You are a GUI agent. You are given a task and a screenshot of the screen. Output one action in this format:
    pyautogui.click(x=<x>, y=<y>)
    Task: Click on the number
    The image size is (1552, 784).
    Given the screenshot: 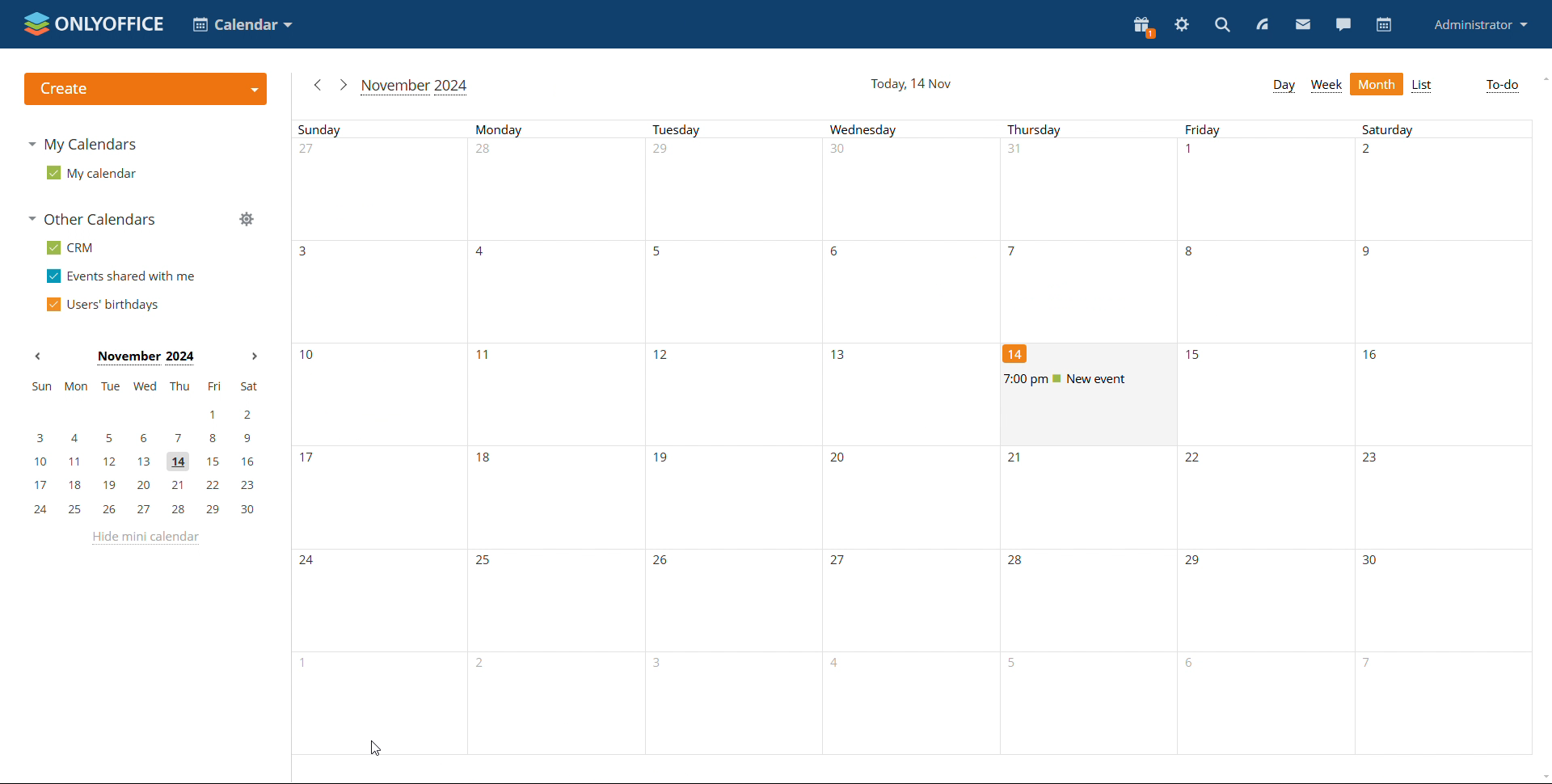 What is the action you would take?
    pyautogui.click(x=487, y=358)
    